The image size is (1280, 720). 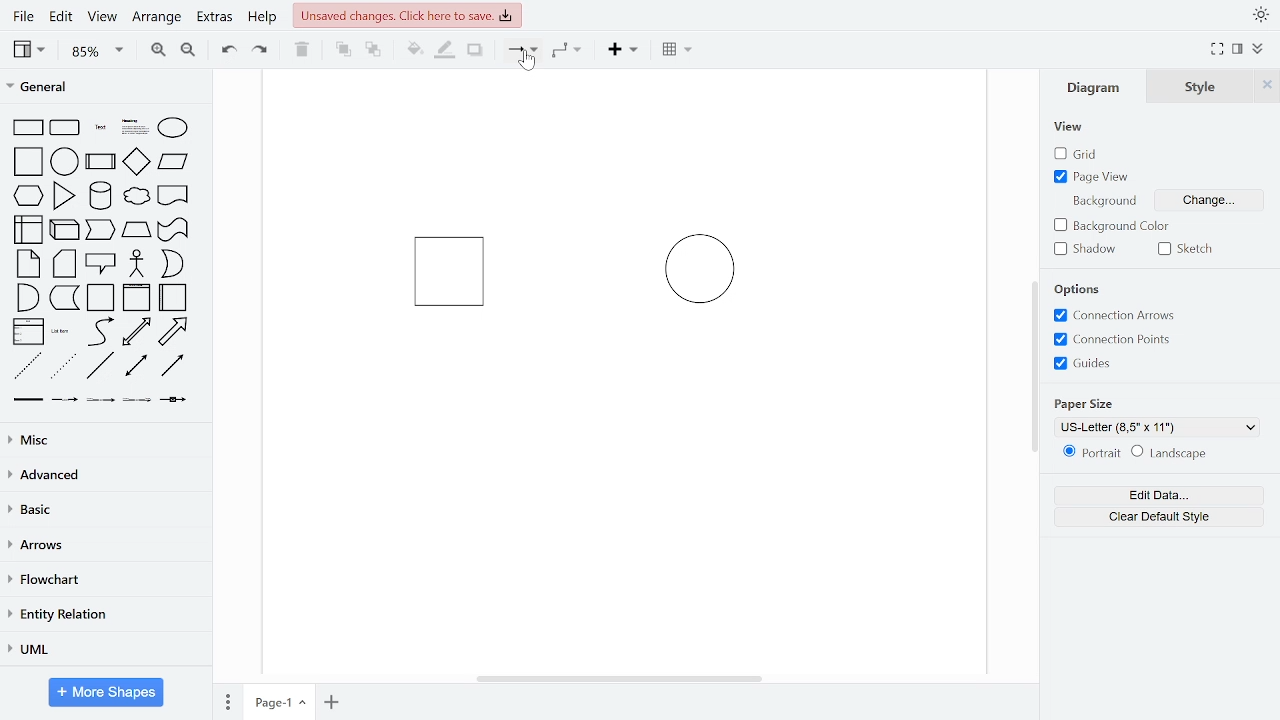 I want to click on tape, so click(x=171, y=230).